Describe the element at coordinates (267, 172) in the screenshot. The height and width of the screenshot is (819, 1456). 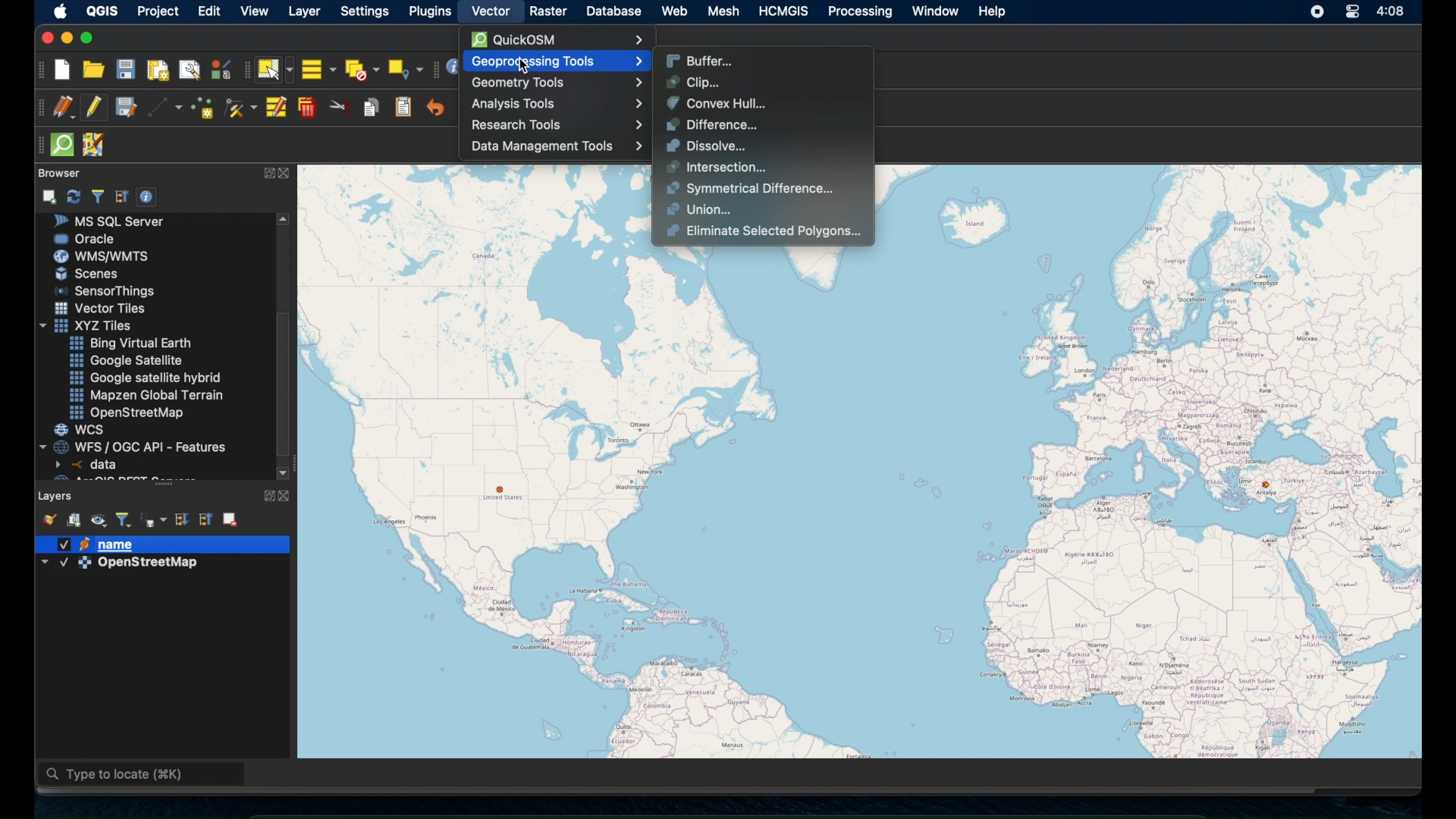
I see `expand` at that location.